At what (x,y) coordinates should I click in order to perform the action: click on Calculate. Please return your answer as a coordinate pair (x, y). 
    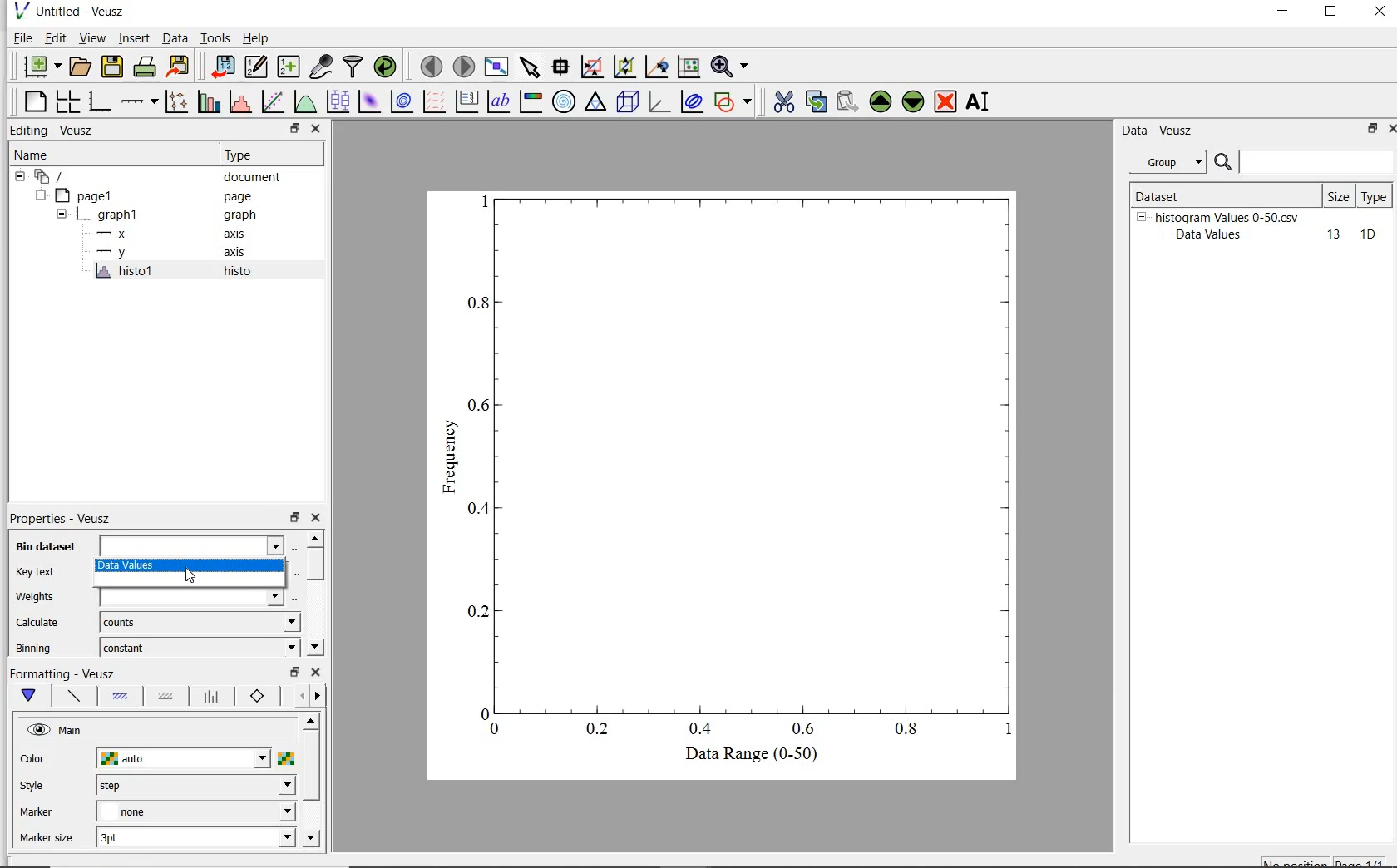
    Looking at the image, I should click on (38, 624).